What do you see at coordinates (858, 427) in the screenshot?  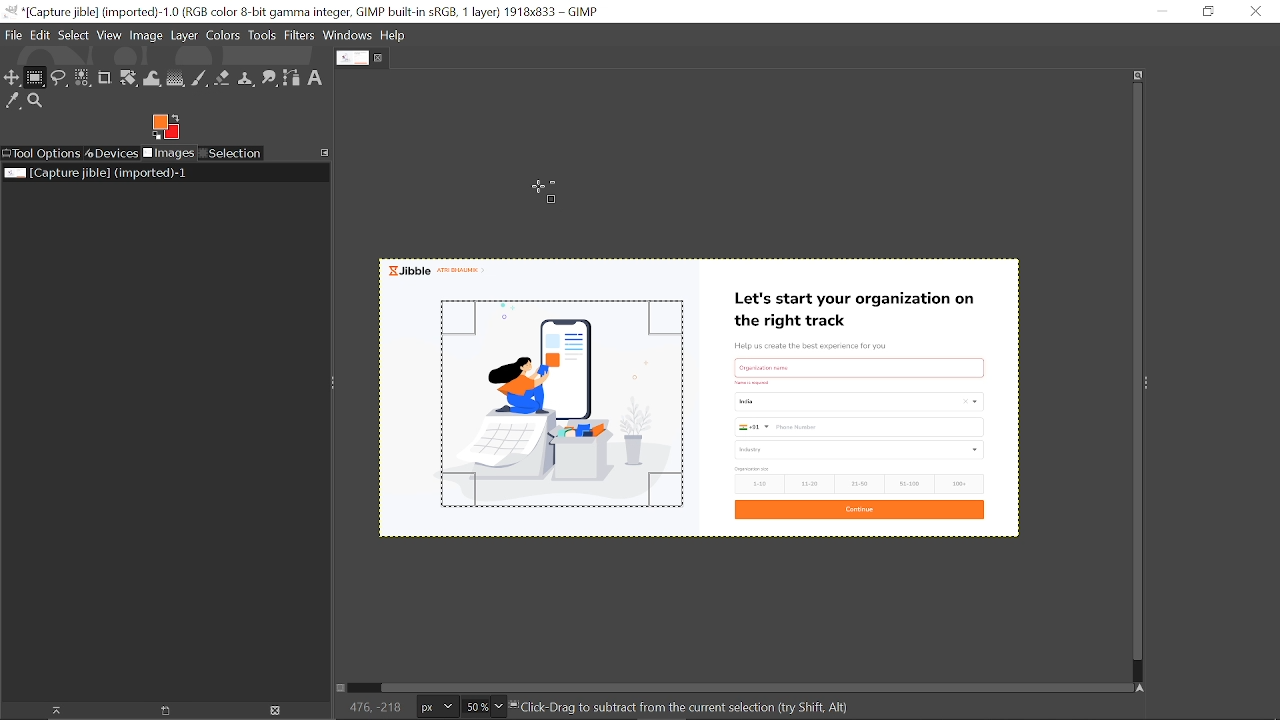 I see `Phone Number` at bounding box center [858, 427].